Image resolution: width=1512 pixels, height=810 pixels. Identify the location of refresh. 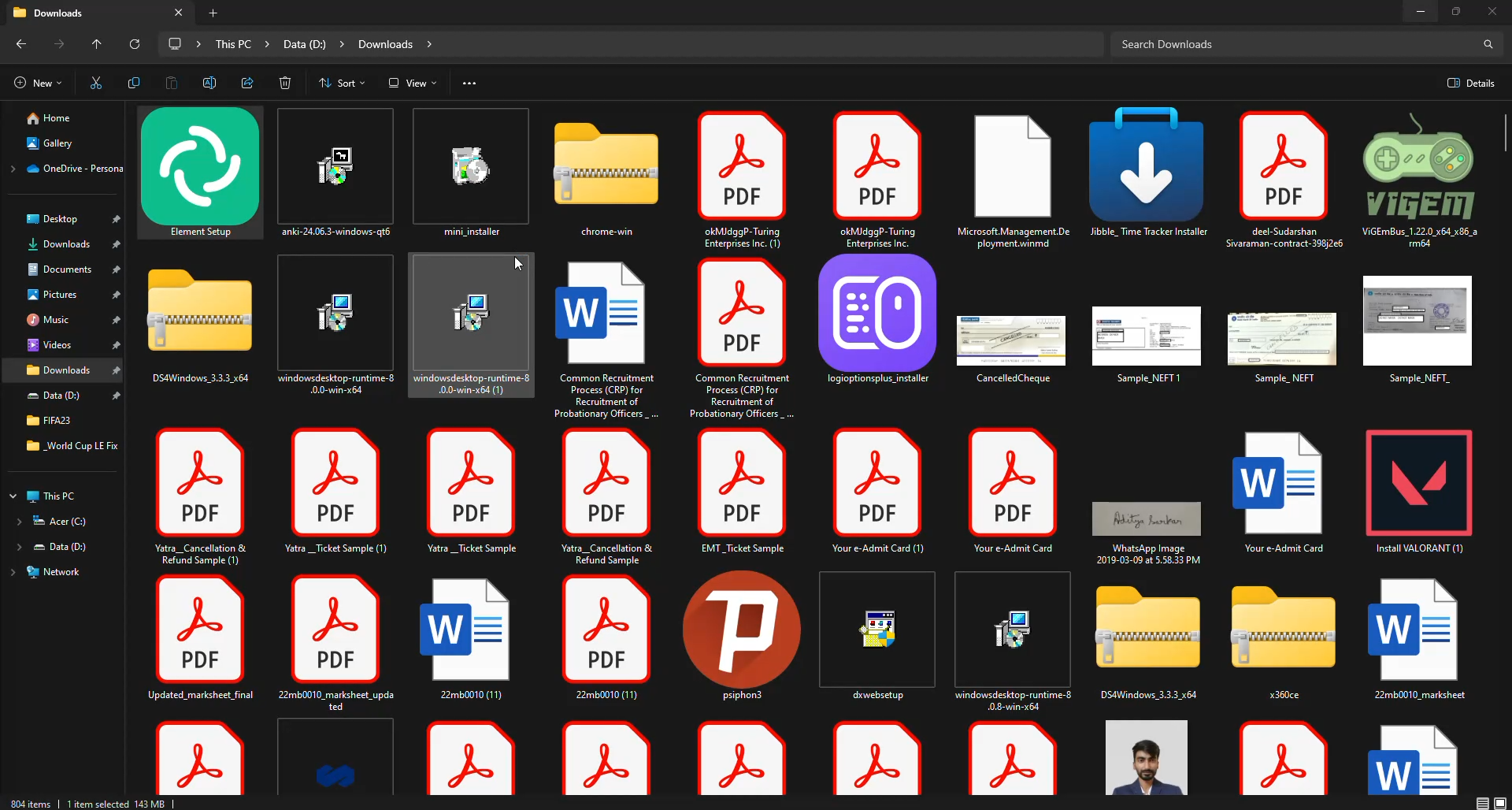
(135, 45).